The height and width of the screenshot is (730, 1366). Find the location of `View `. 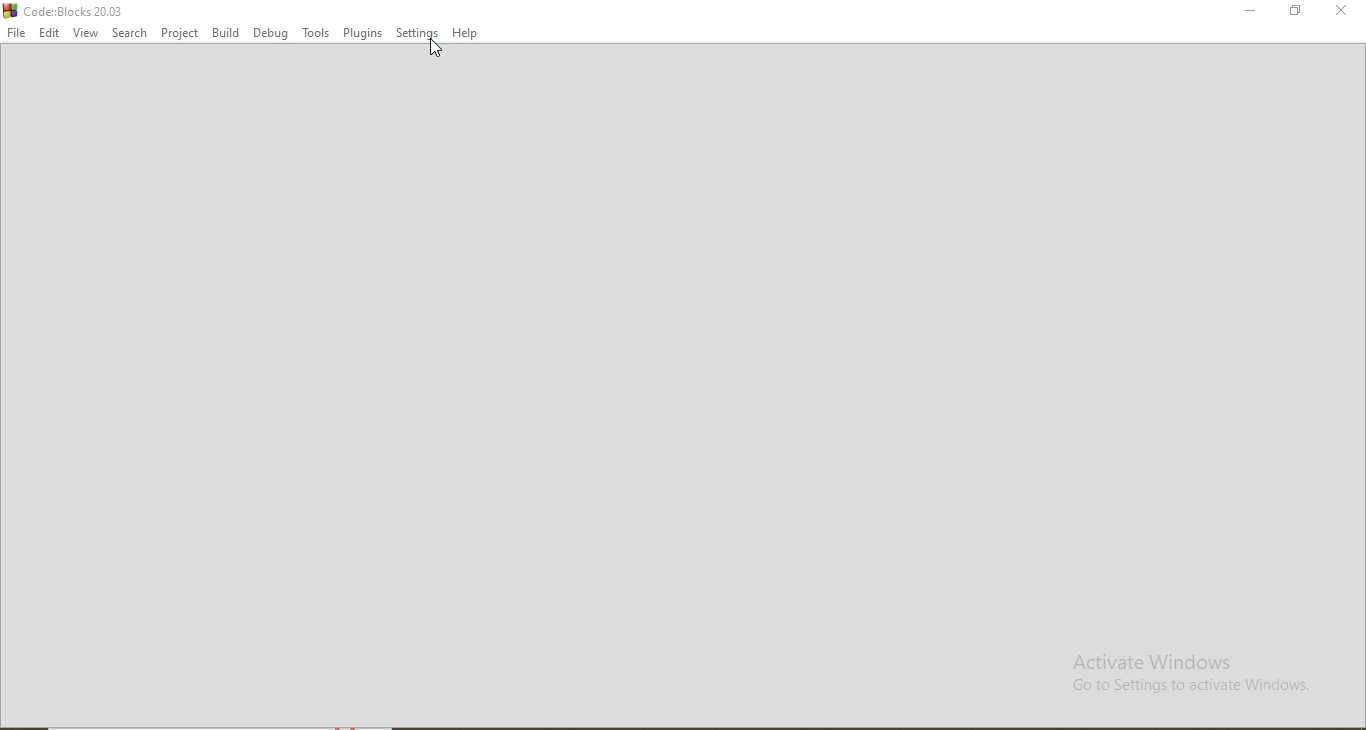

View  is located at coordinates (86, 33).